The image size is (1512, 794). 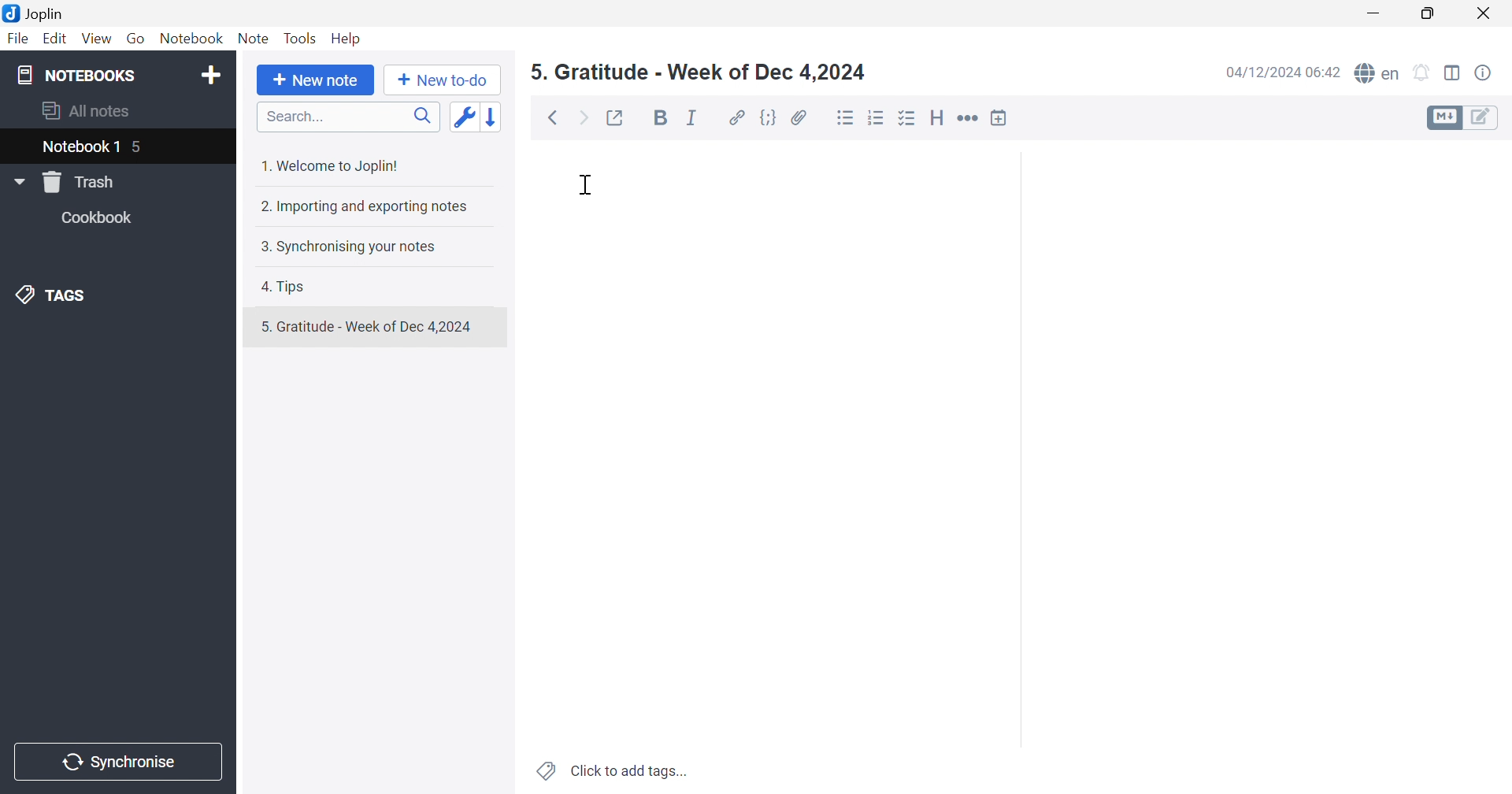 What do you see at coordinates (691, 117) in the screenshot?
I see `Italic` at bounding box center [691, 117].